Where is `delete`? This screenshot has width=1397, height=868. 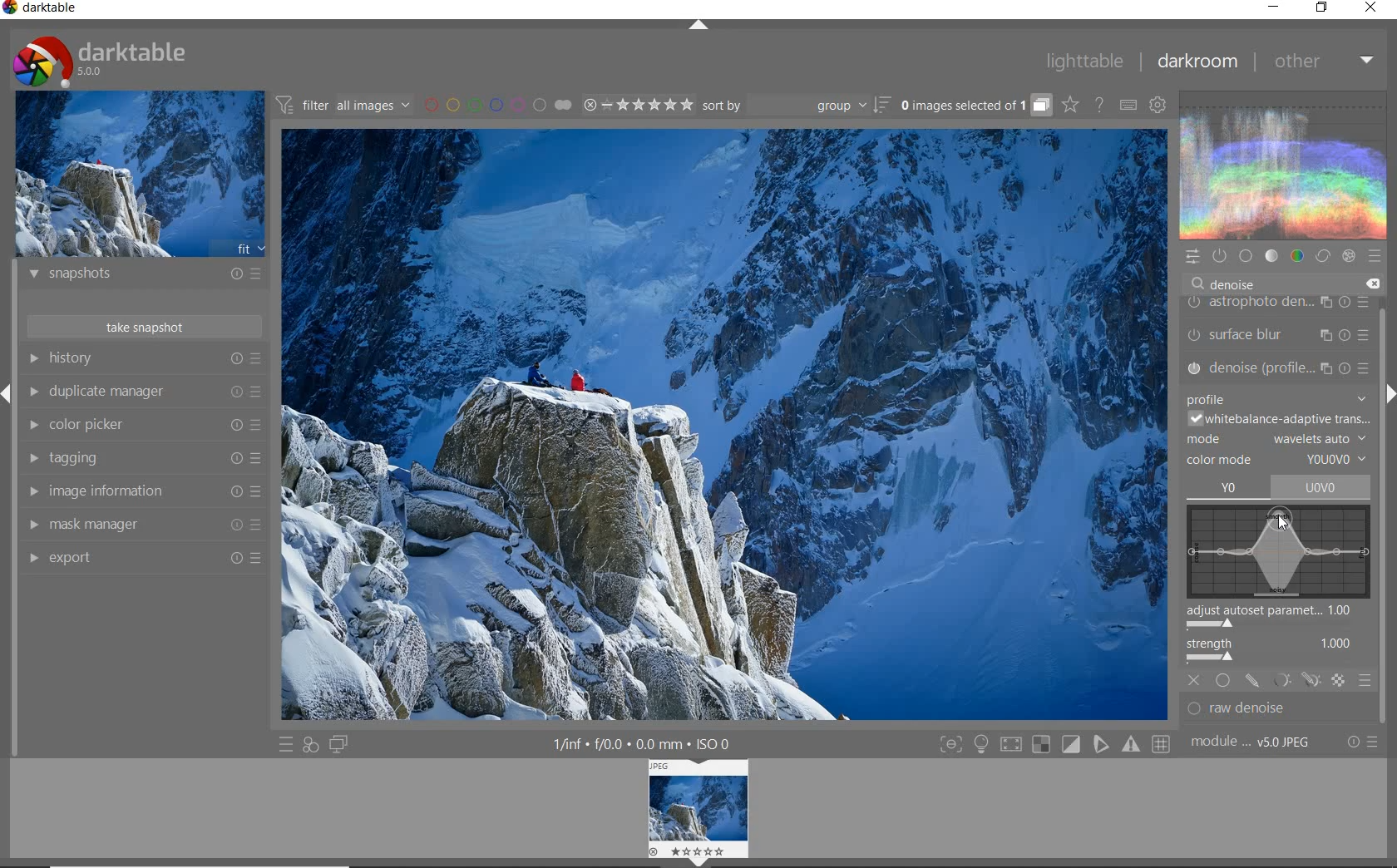
delete is located at coordinates (1371, 284).